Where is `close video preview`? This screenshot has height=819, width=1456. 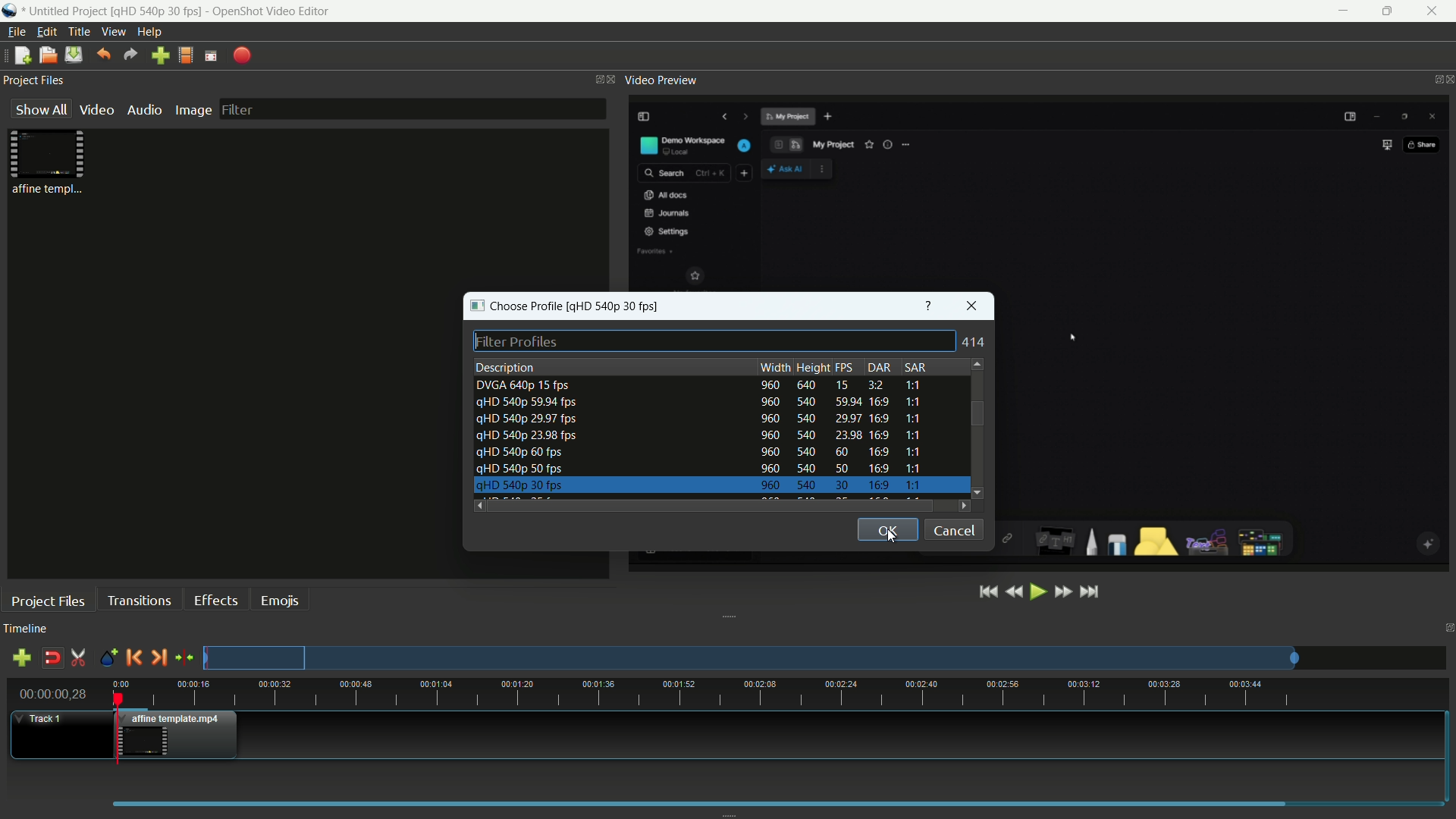
close video preview is located at coordinates (1447, 80).